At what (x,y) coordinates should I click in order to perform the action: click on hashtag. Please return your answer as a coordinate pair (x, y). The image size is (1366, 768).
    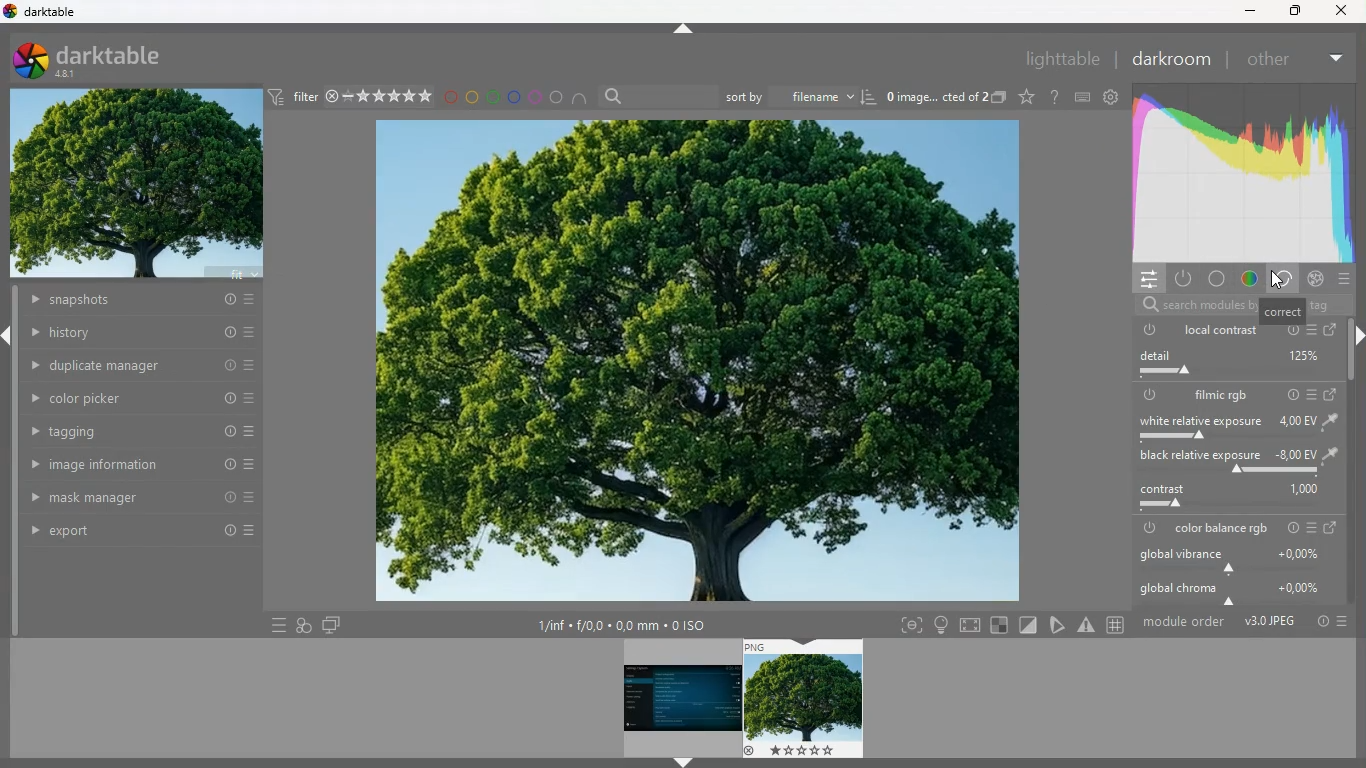
    Looking at the image, I should click on (1116, 623).